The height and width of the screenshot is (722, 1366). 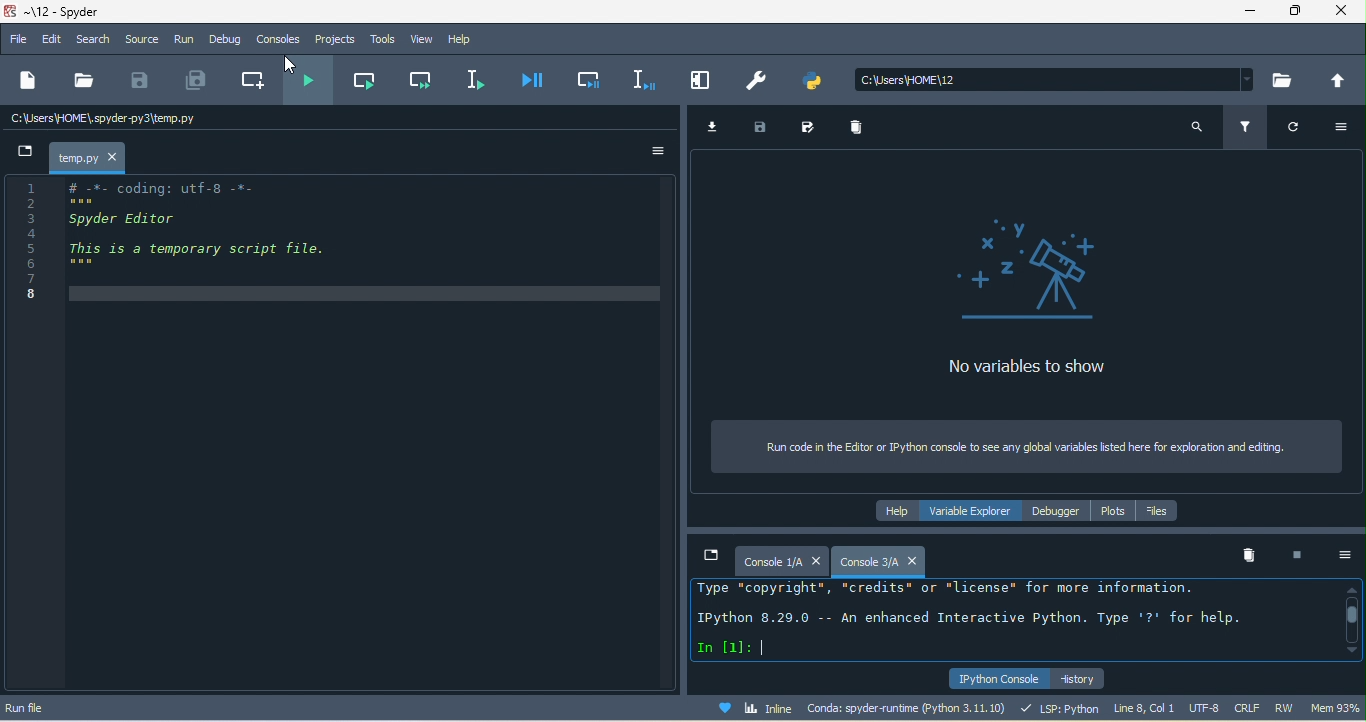 I want to click on maximize, so click(x=1302, y=13).